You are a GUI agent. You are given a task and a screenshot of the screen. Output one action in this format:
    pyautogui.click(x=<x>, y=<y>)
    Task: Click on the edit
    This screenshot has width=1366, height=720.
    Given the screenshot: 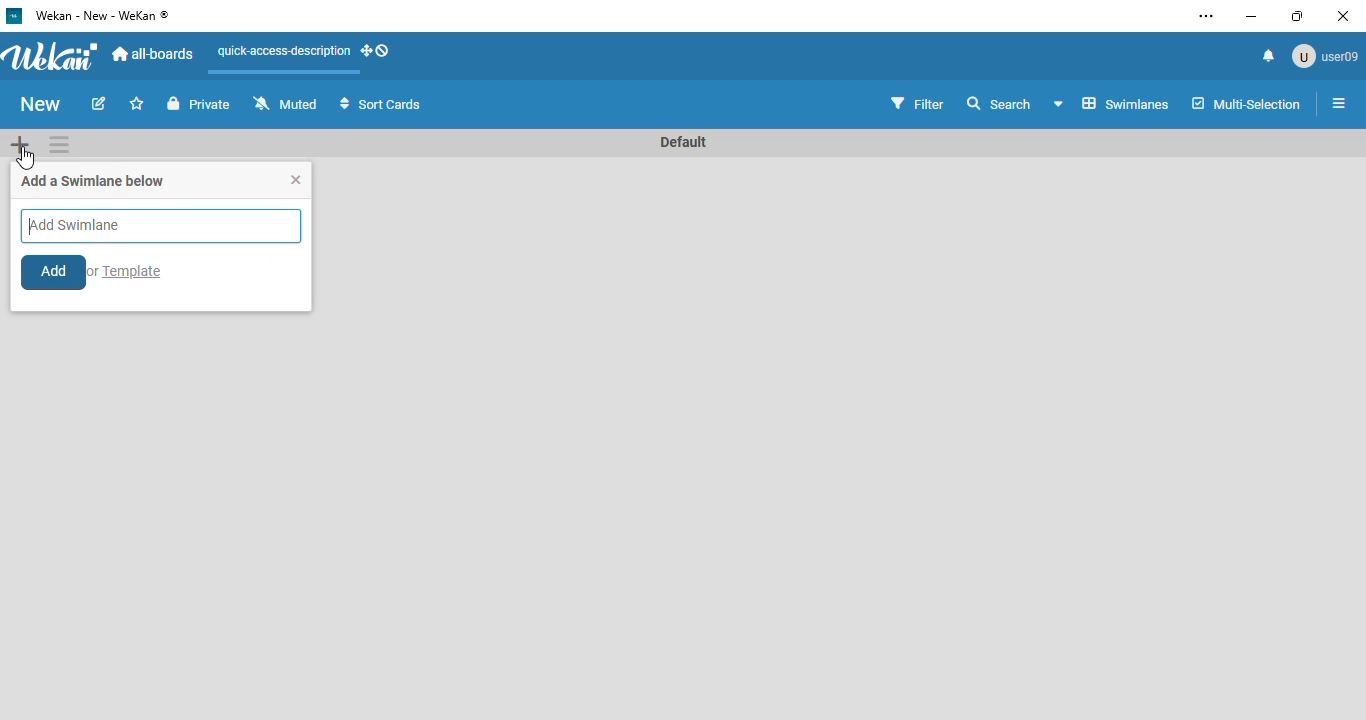 What is the action you would take?
    pyautogui.click(x=99, y=103)
    